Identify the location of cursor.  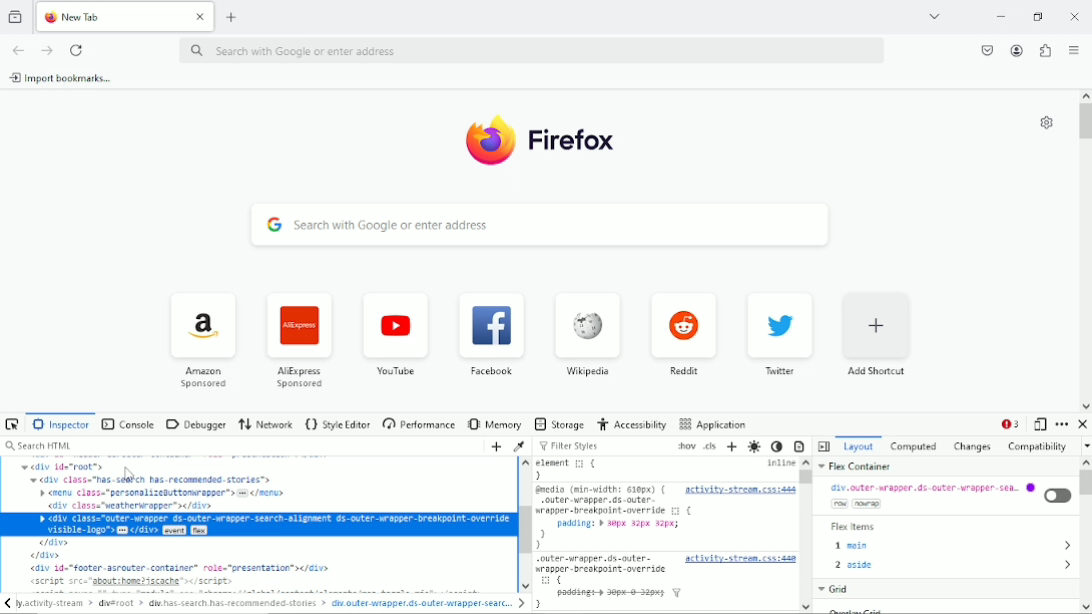
(129, 473).